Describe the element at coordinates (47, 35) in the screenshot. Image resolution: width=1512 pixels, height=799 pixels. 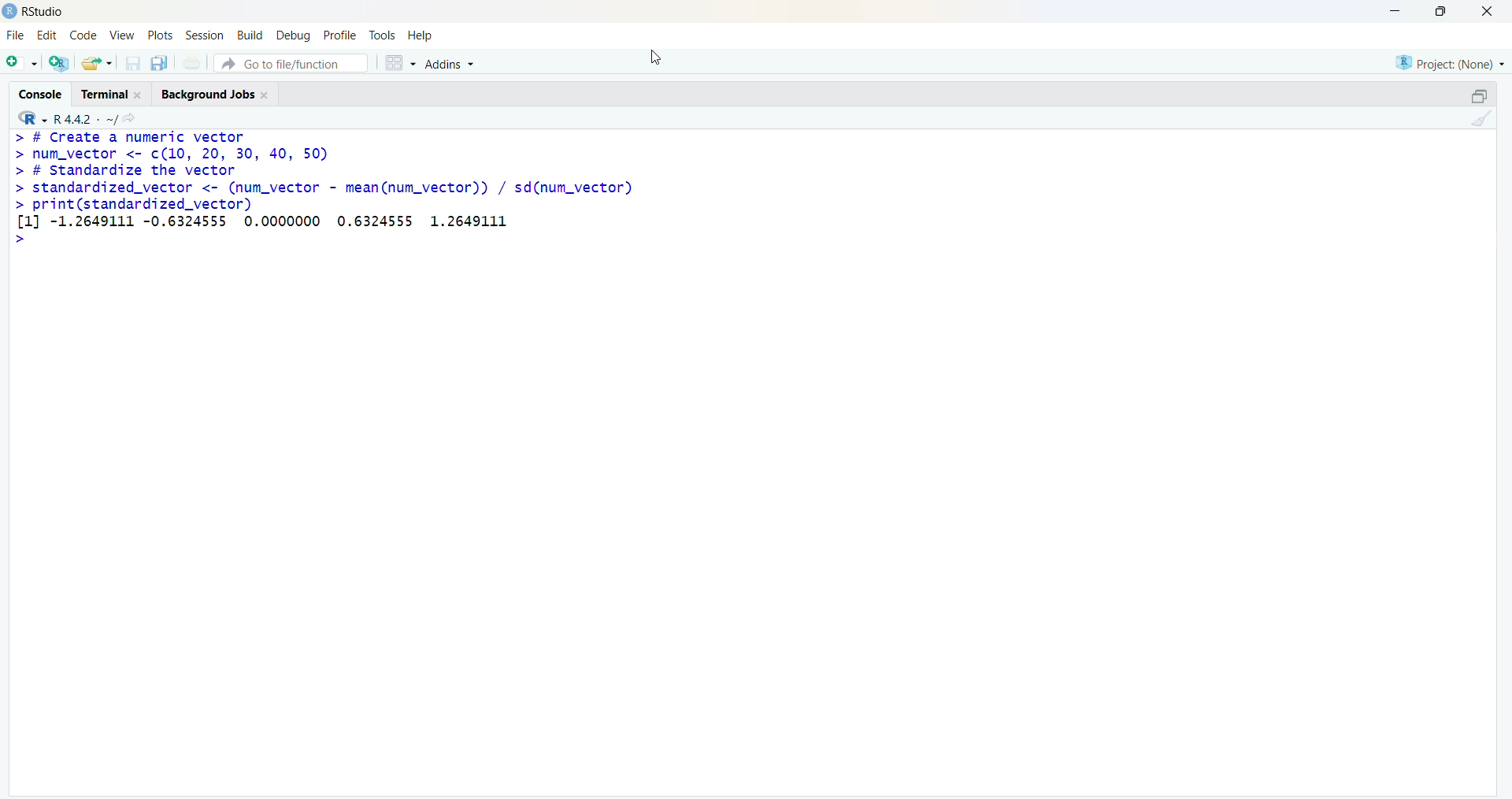
I see `edit` at that location.